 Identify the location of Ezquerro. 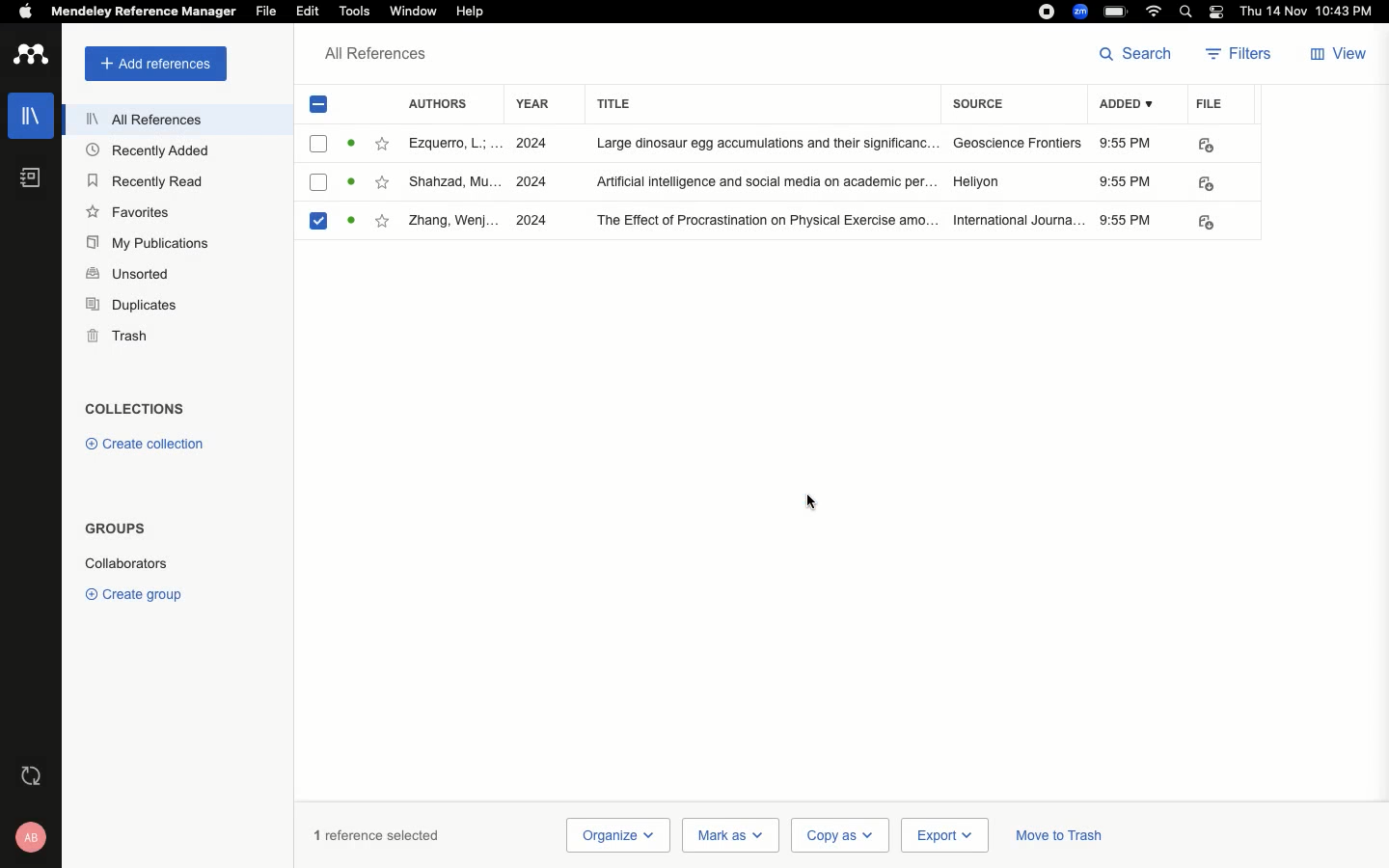
(453, 143).